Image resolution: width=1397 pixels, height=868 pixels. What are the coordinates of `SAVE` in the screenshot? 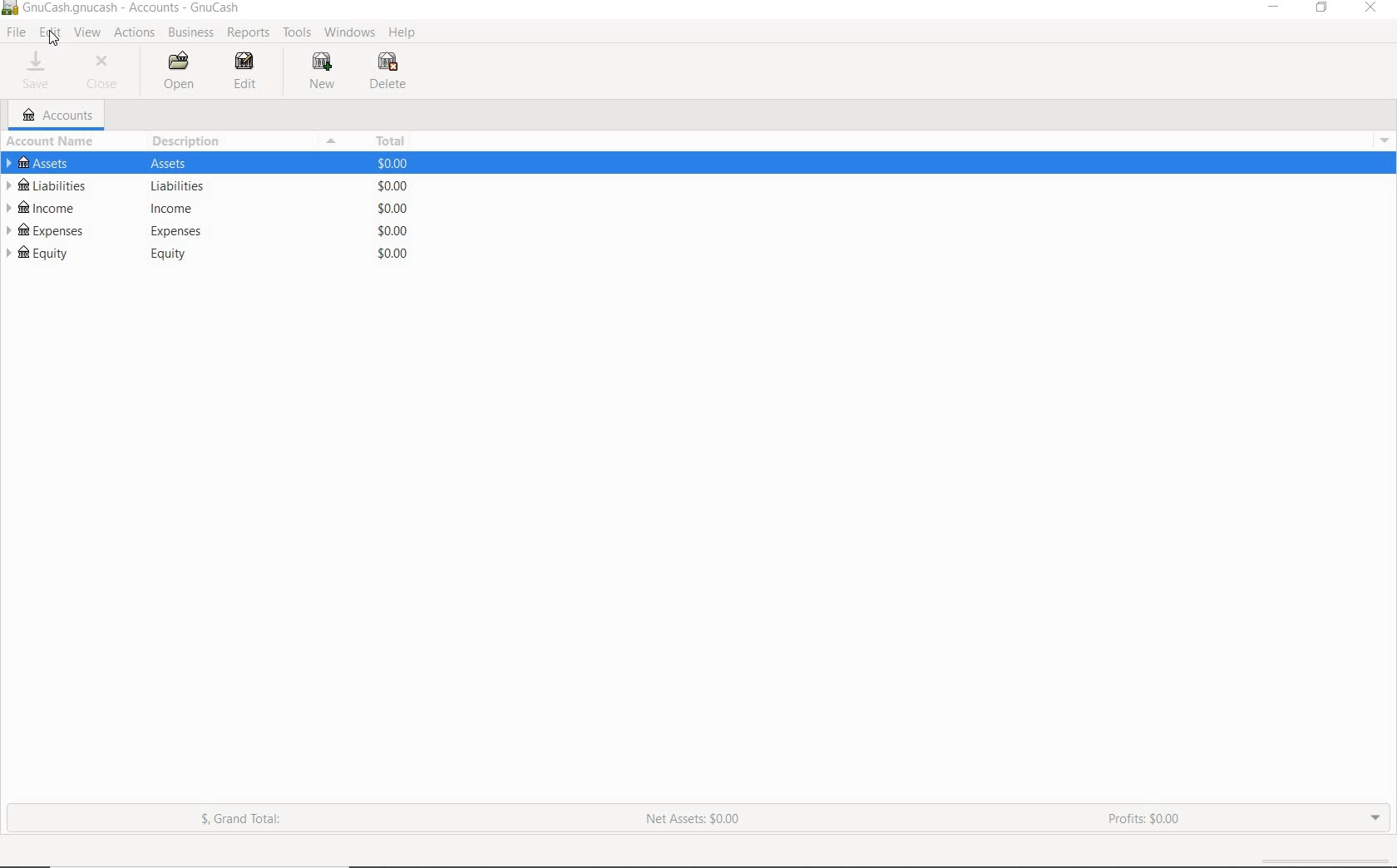 It's located at (41, 70).